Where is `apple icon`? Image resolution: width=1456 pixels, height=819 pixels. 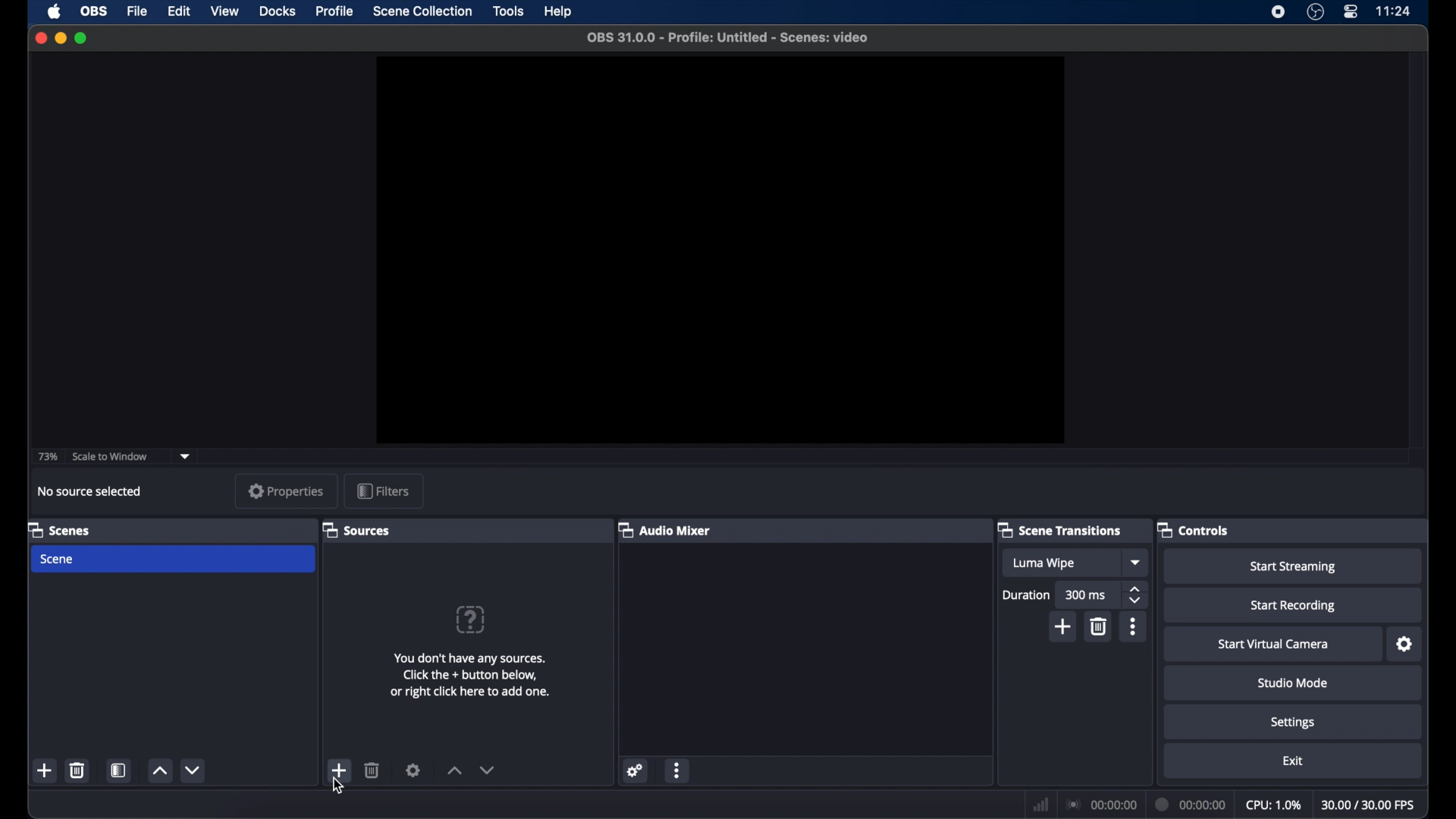 apple icon is located at coordinates (54, 12).